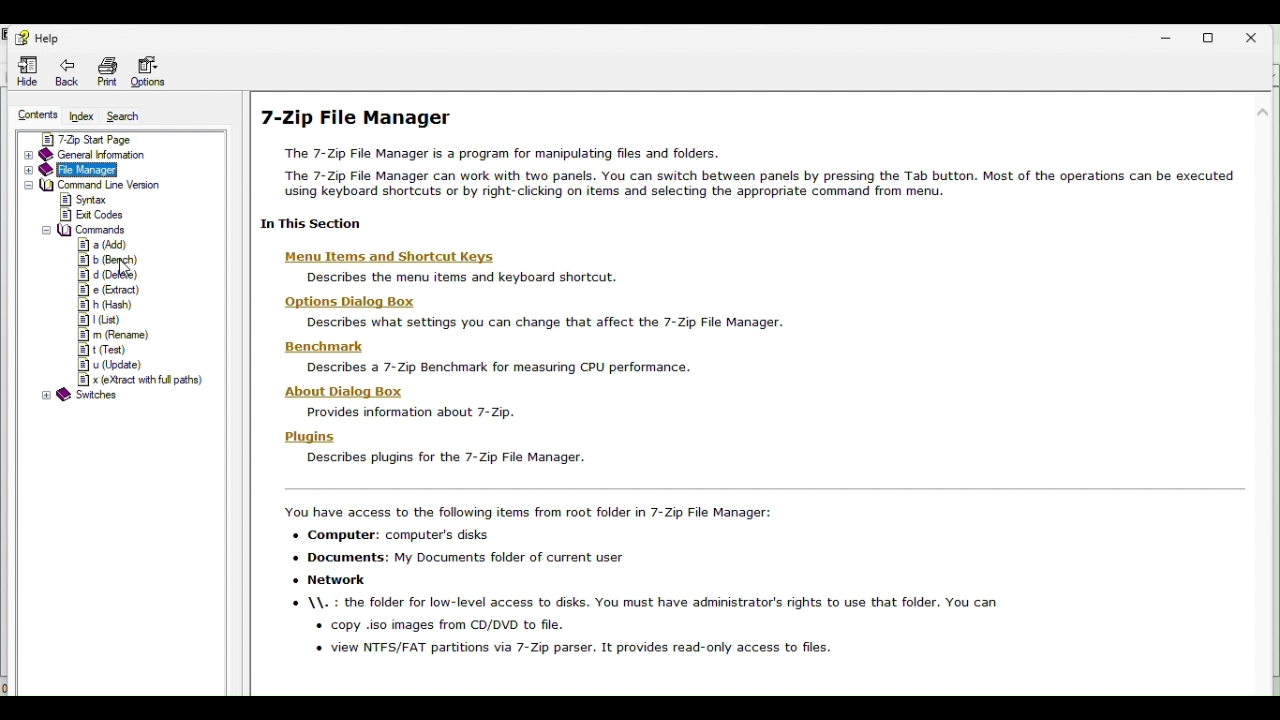 The image size is (1280, 720). I want to click on syntax, so click(89, 199).